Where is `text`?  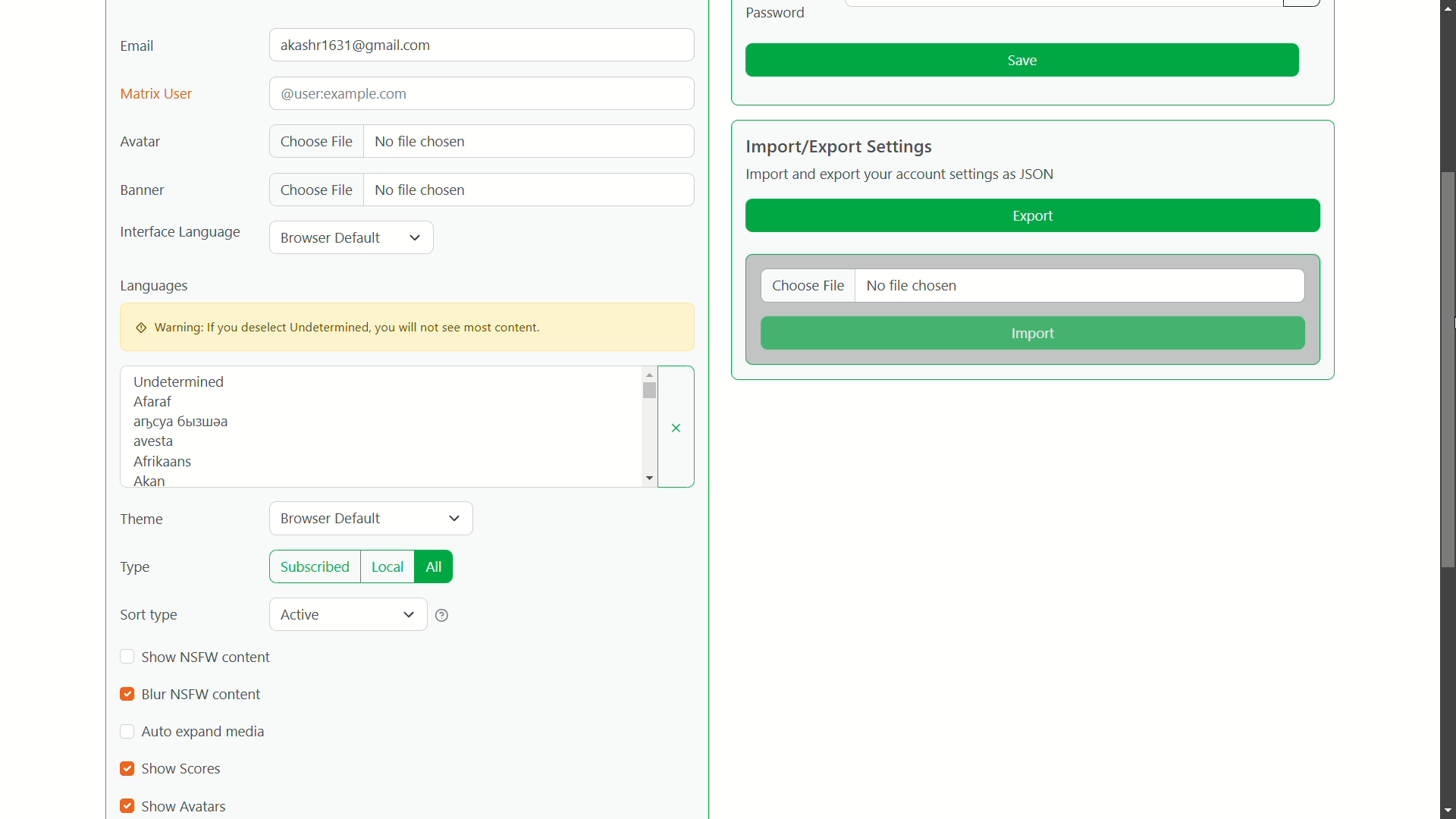
text is located at coordinates (342, 93).